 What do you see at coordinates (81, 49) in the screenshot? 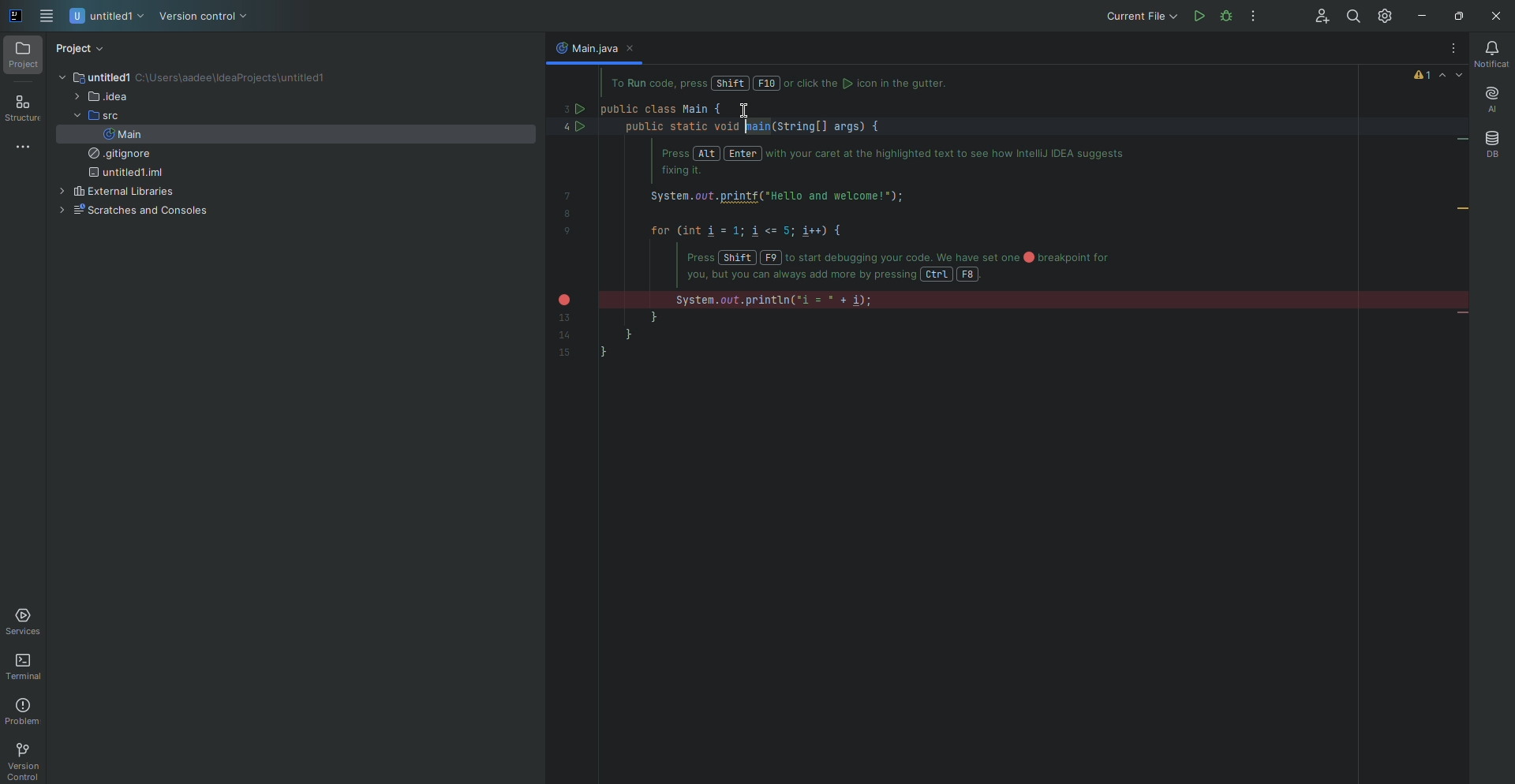
I see `Project` at bounding box center [81, 49].